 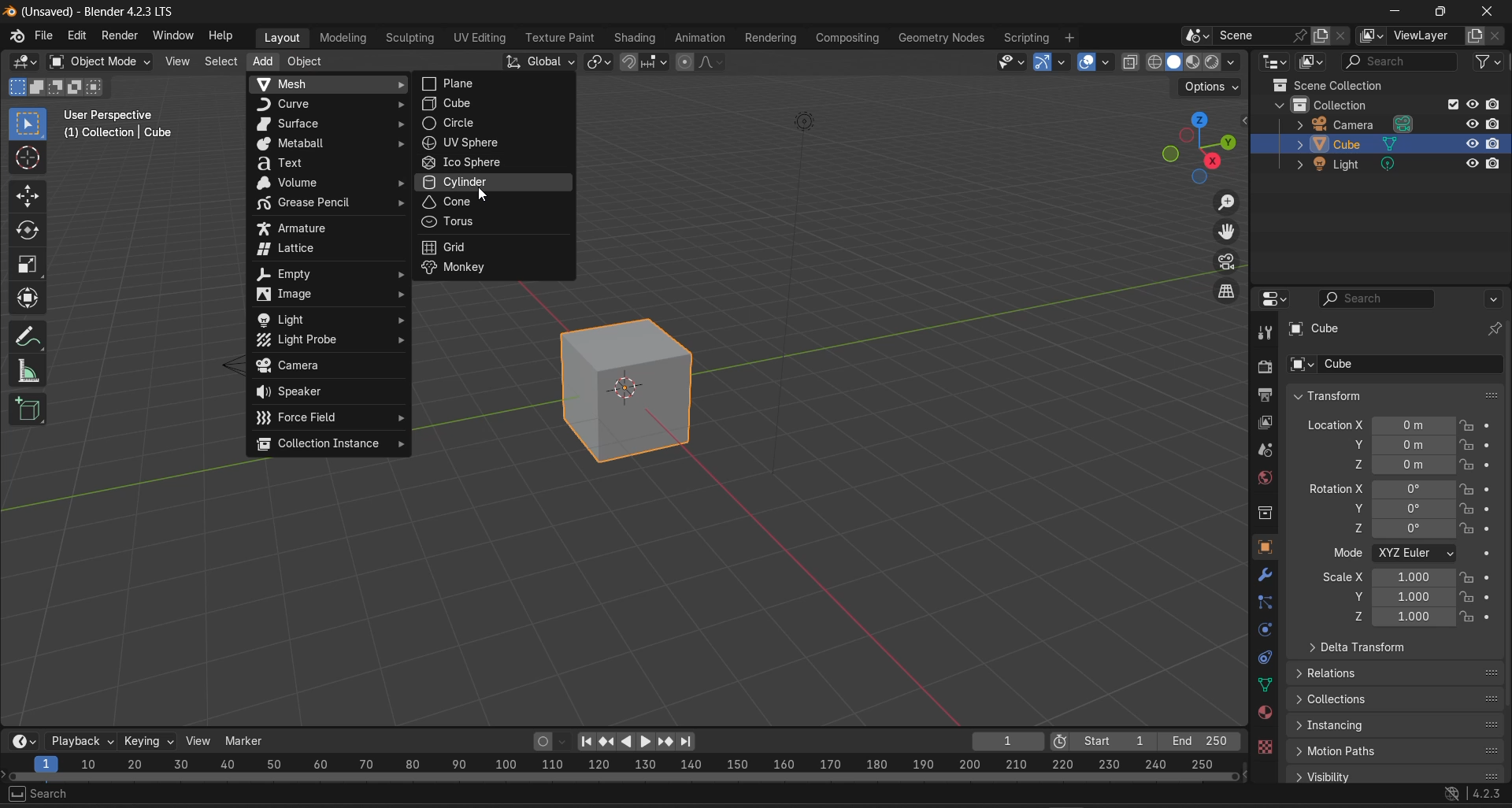 I want to click on UV editing, so click(x=479, y=38).